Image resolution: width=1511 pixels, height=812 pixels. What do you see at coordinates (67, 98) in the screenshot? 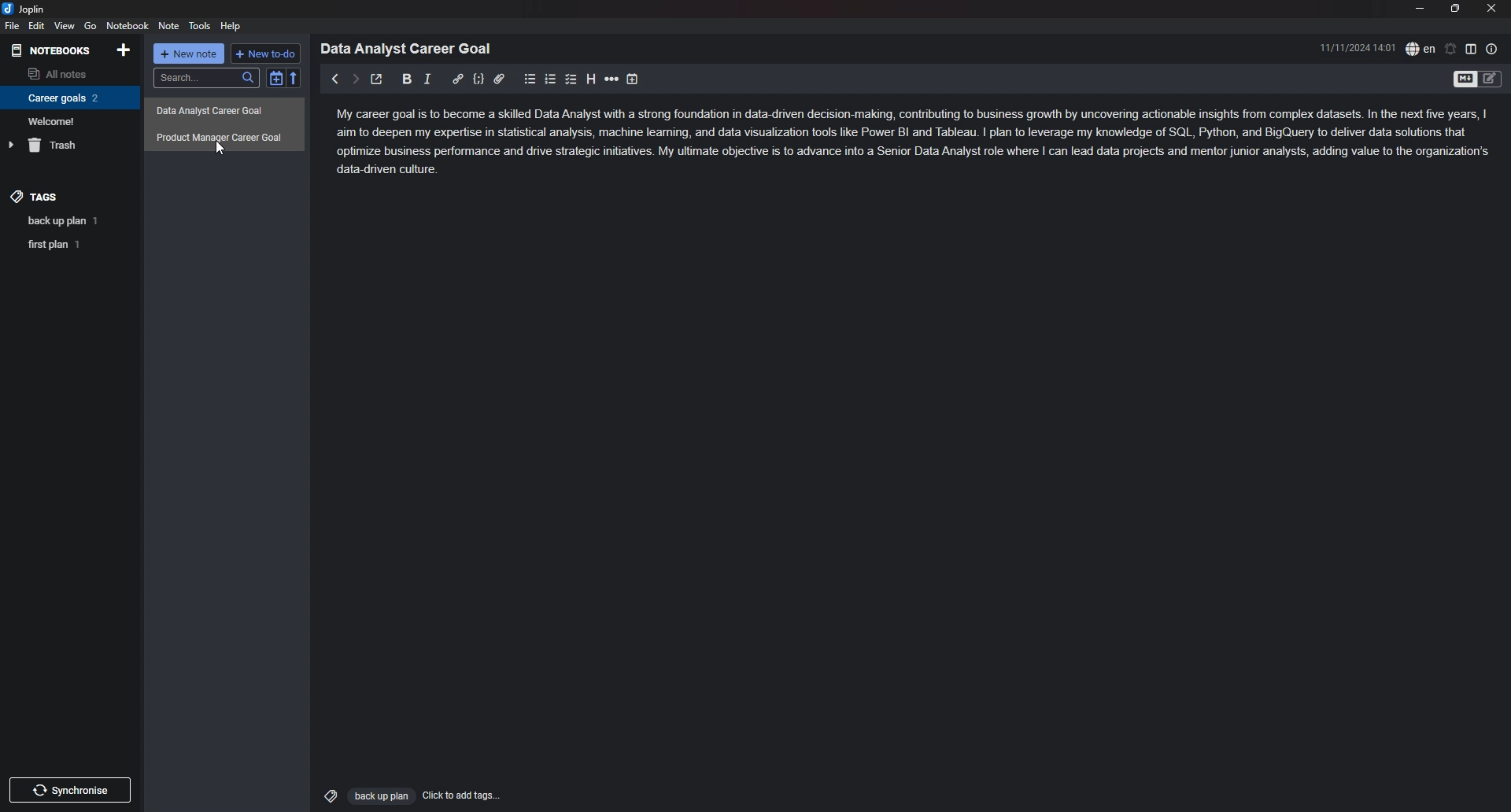
I see `Career goals 2` at bounding box center [67, 98].